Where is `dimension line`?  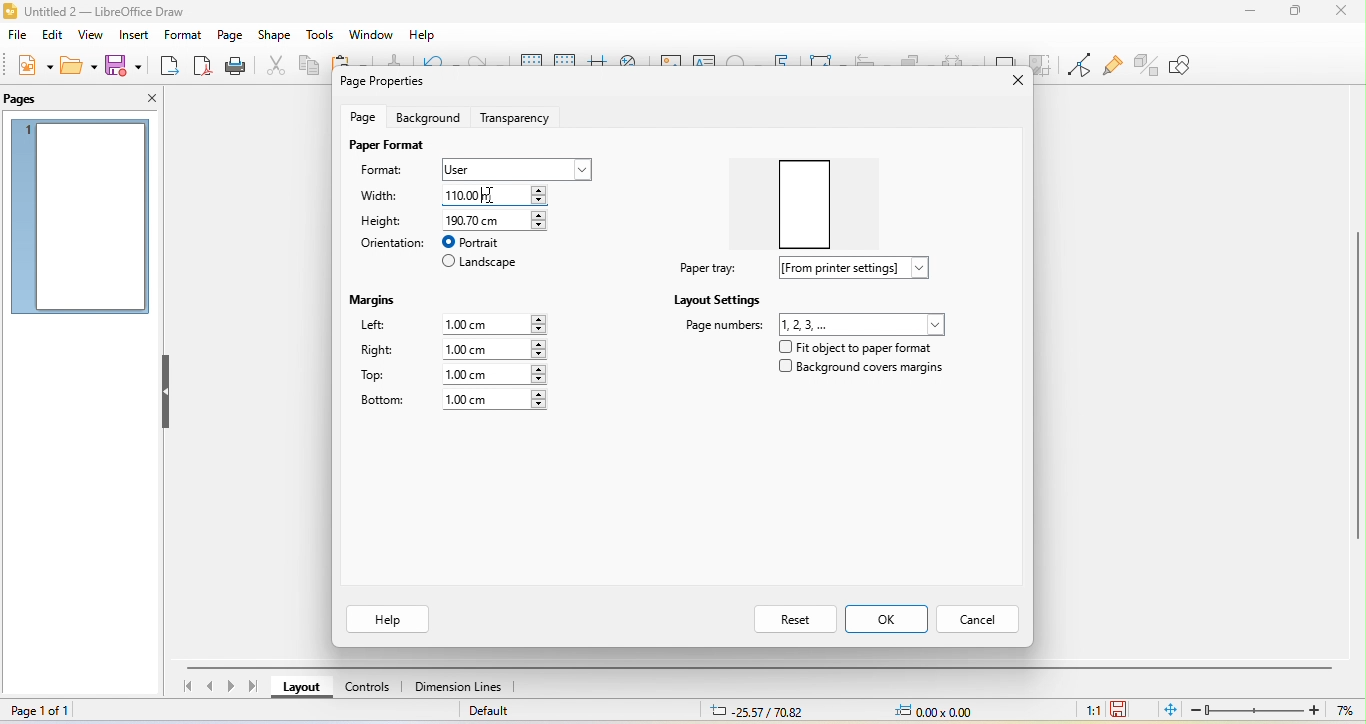 dimension line is located at coordinates (459, 688).